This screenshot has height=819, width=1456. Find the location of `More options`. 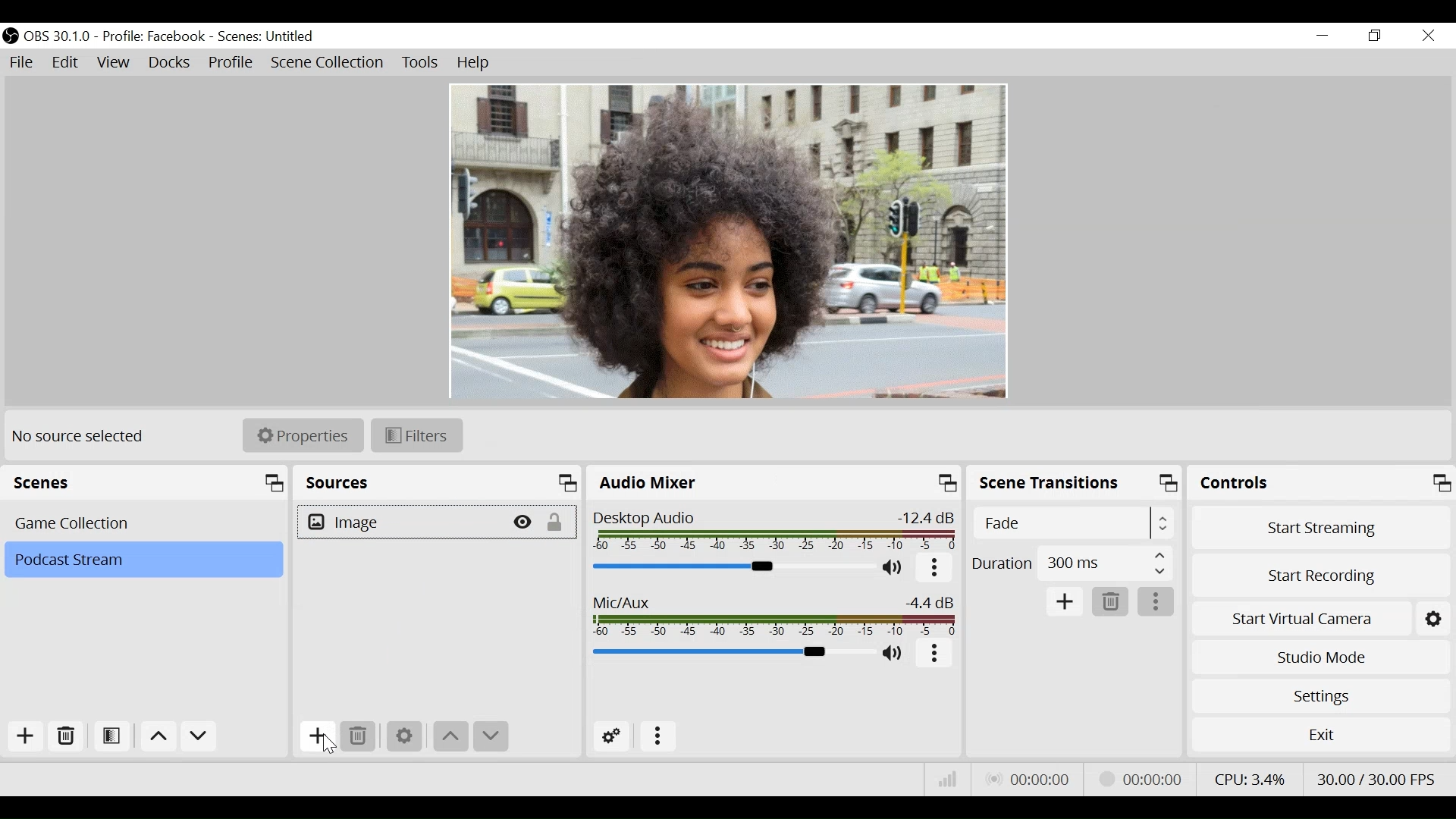

More options is located at coordinates (936, 654).